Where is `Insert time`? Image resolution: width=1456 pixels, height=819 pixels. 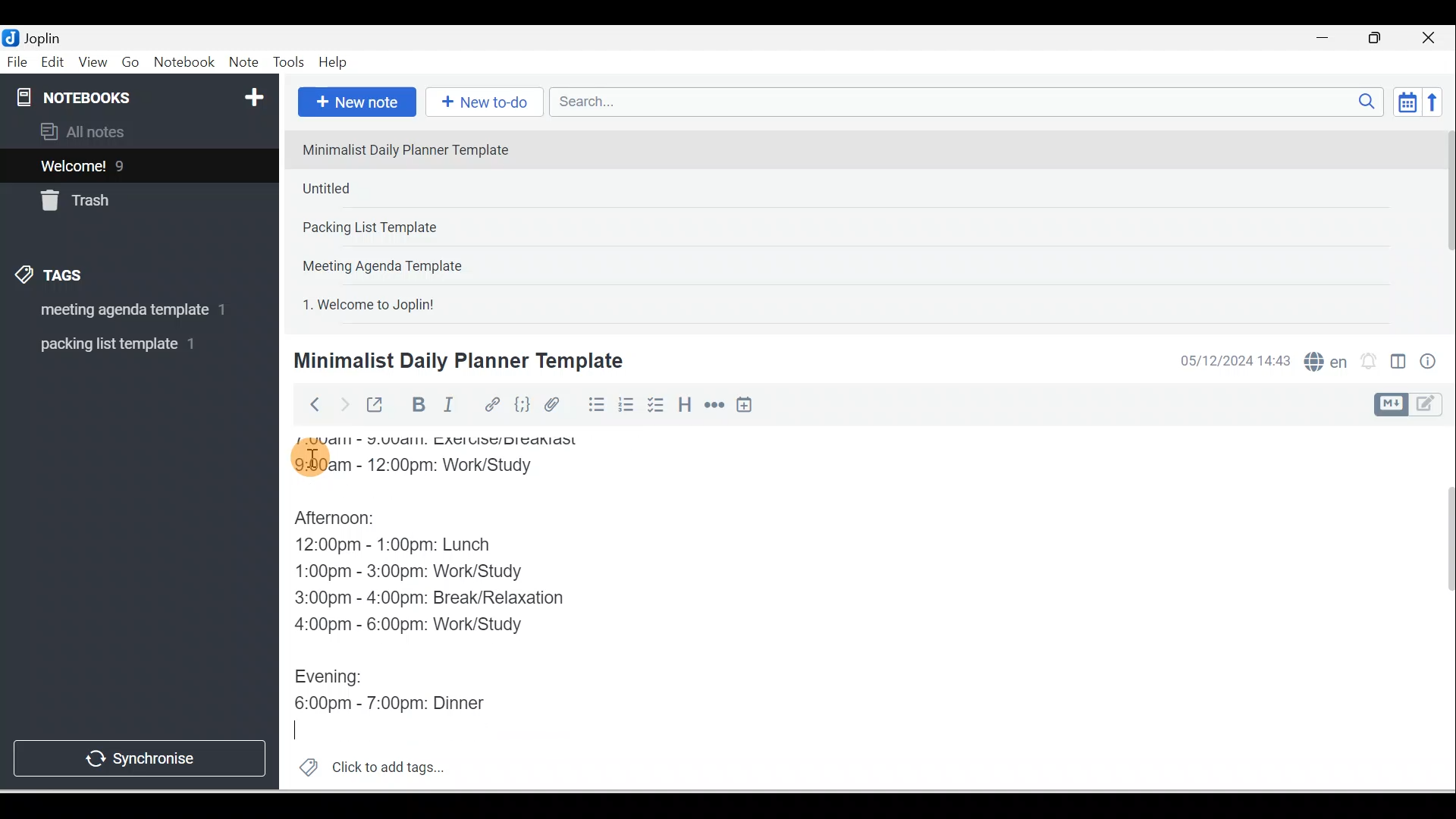
Insert time is located at coordinates (744, 406).